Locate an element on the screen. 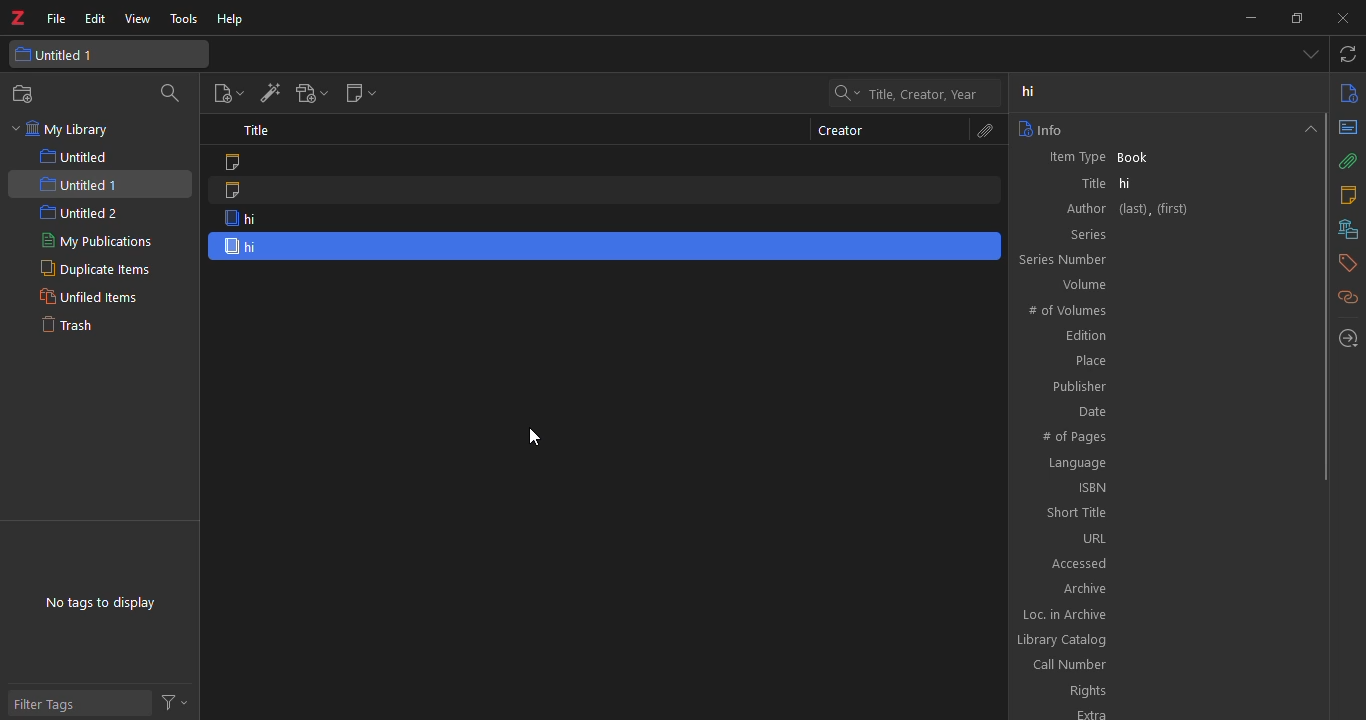 The width and height of the screenshot is (1366, 720). title is located at coordinates (255, 129).